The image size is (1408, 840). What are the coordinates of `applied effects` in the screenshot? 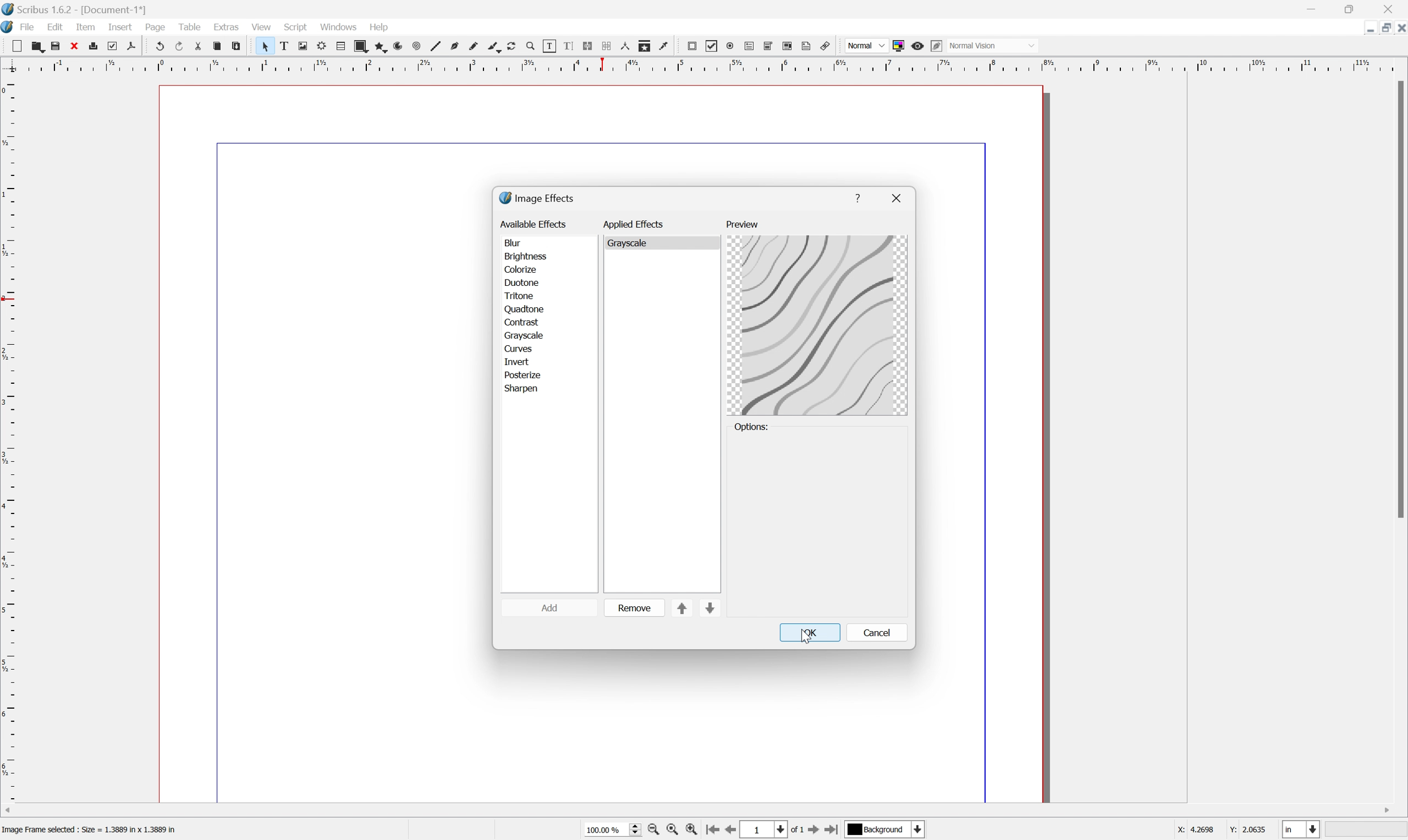 It's located at (635, 224).